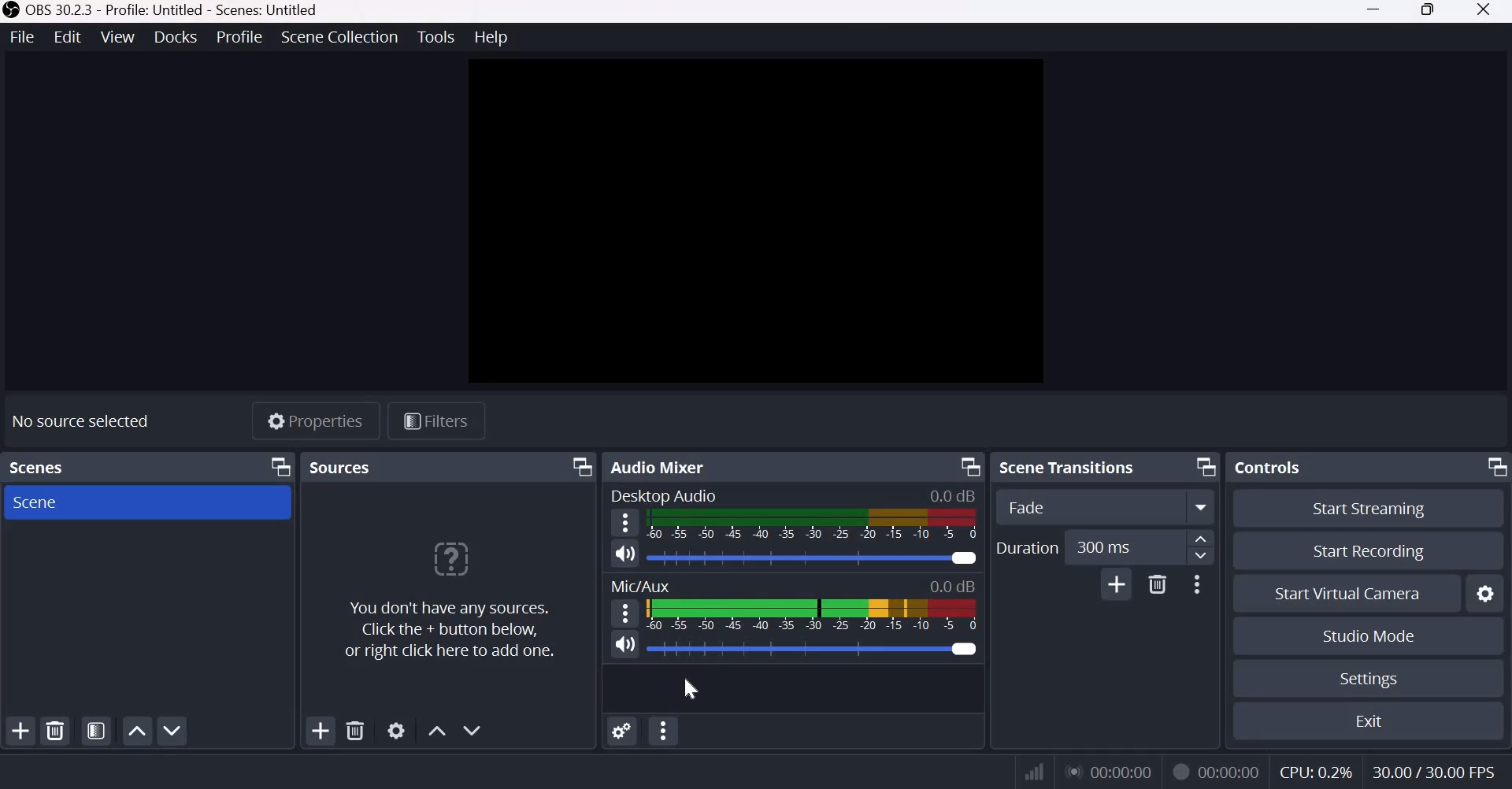 This screenshot has height=789, width=1512. What do you see at coordinates (662, 466) in the screenshot?
I see `Audio Mixer` at bounding box center [662, 466].